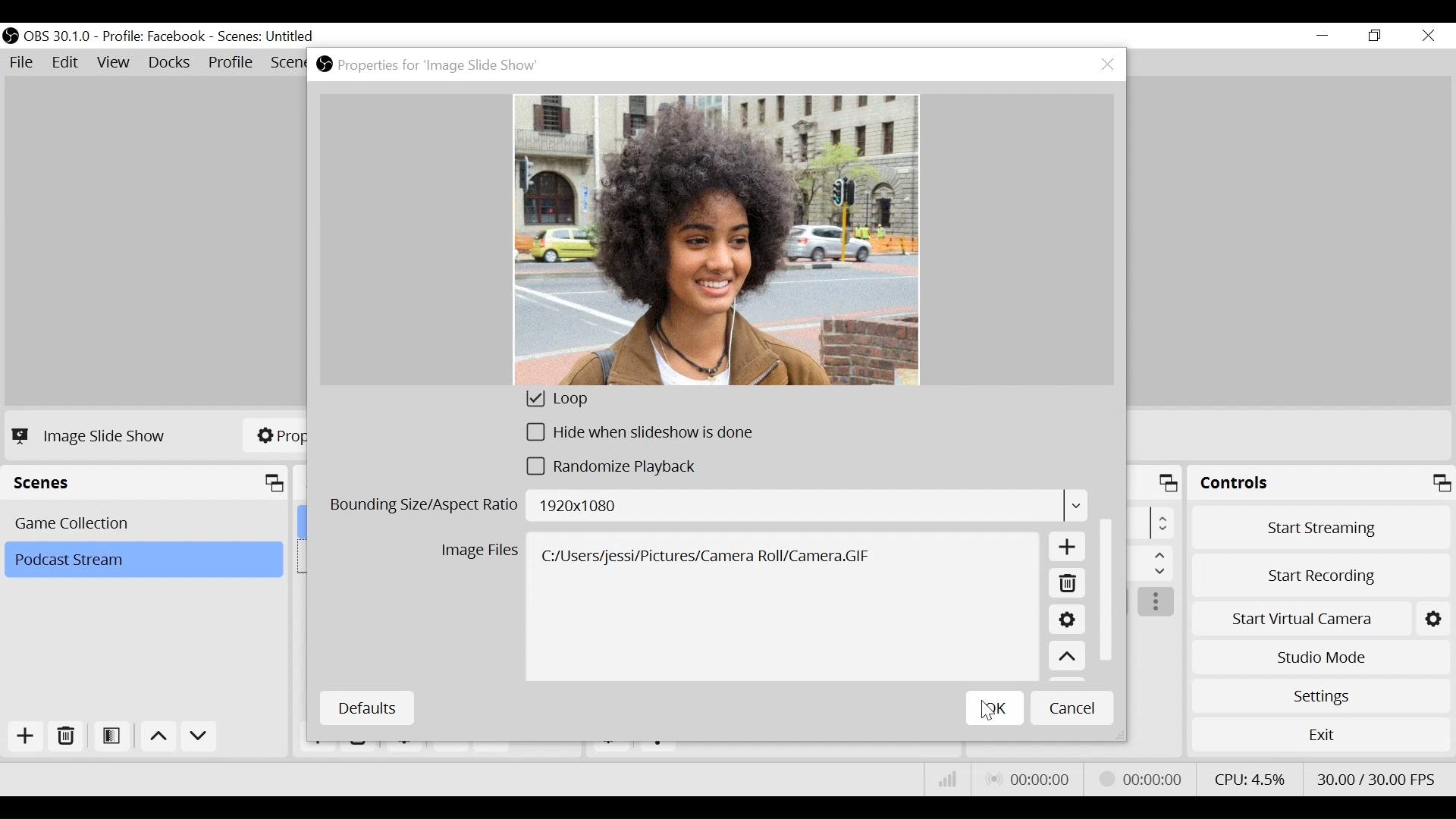 This screenshot has width=1456, height=819. What do you see at coordinates (1107, 65) in the screenshot?
I see `Close` at bounding box center [1107, 65].